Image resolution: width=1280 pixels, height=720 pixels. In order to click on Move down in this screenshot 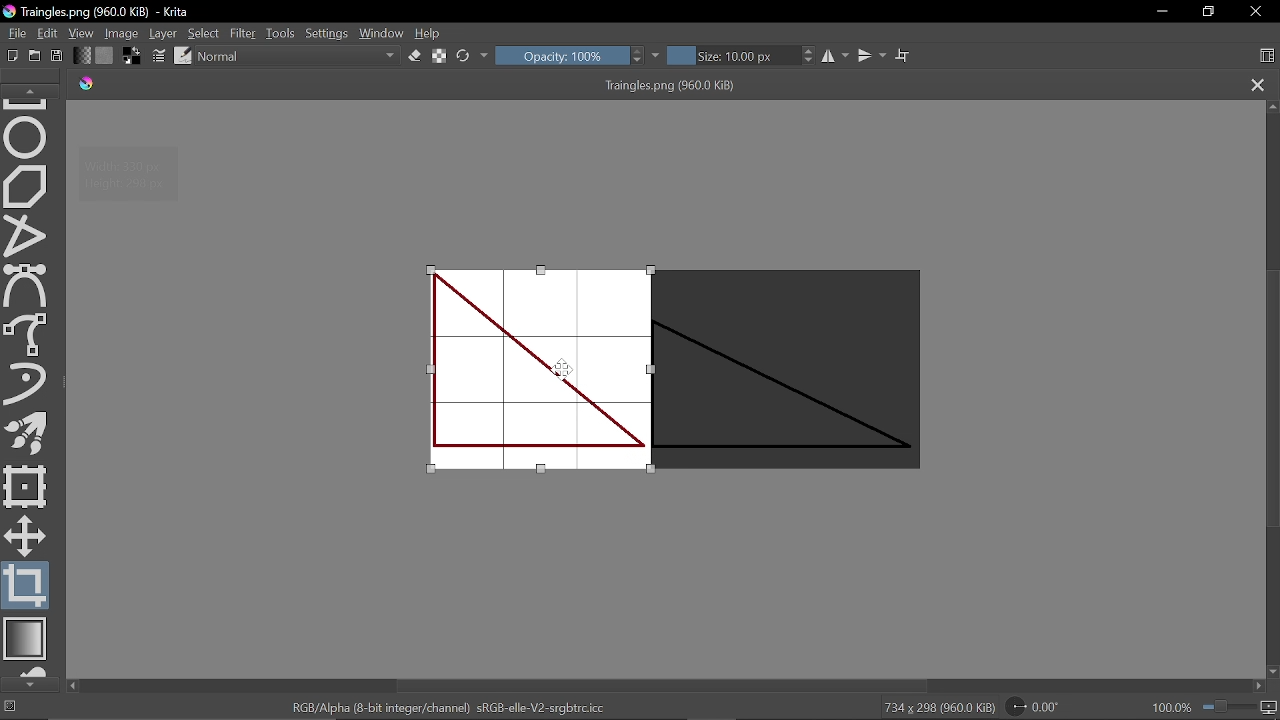, I will do `click(1272, 672)`.